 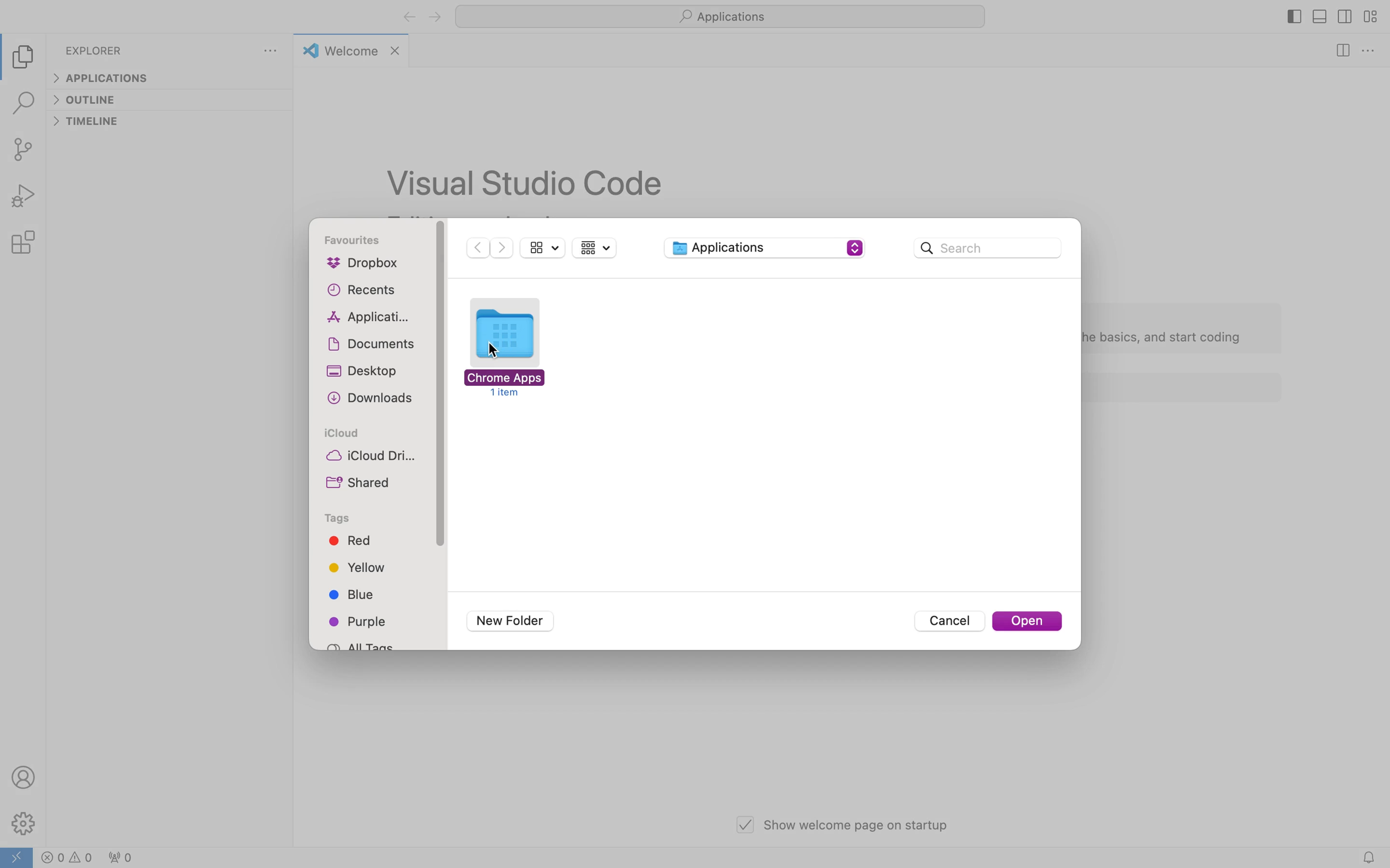 I want to click on toggle panel, so click(x=1319, y=17).